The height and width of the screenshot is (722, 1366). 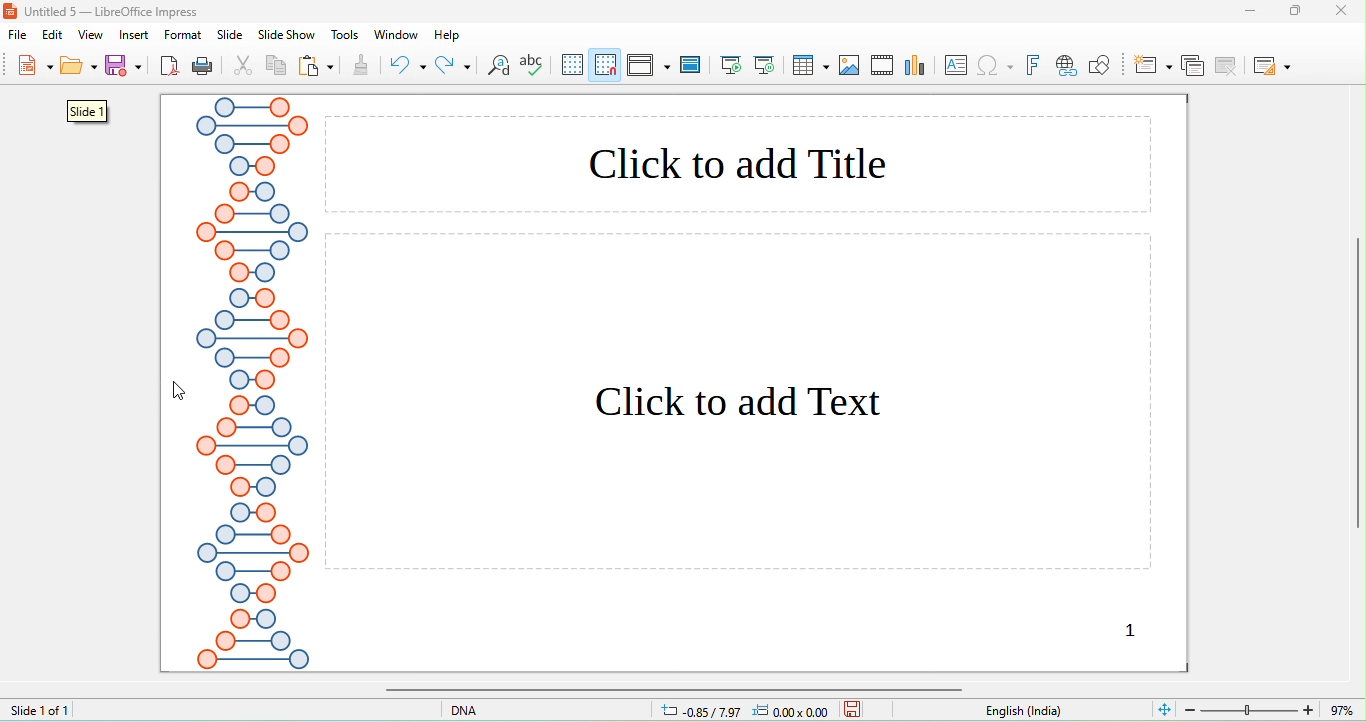 What do you see at coordinates (105, 11) in the screenshot?
I see `title` at bounding box center [105, 11].